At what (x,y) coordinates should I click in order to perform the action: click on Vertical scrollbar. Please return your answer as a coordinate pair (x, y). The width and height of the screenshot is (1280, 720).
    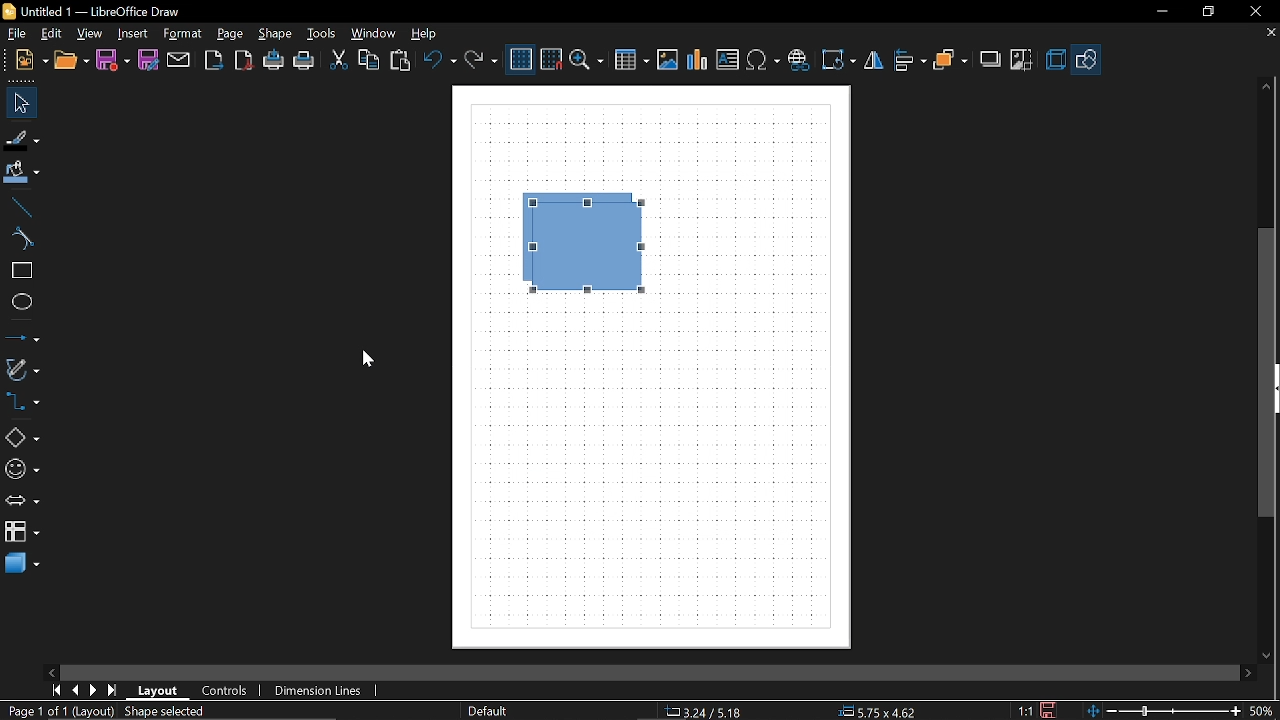
    Looking at the image, I should click on (1267, 372).